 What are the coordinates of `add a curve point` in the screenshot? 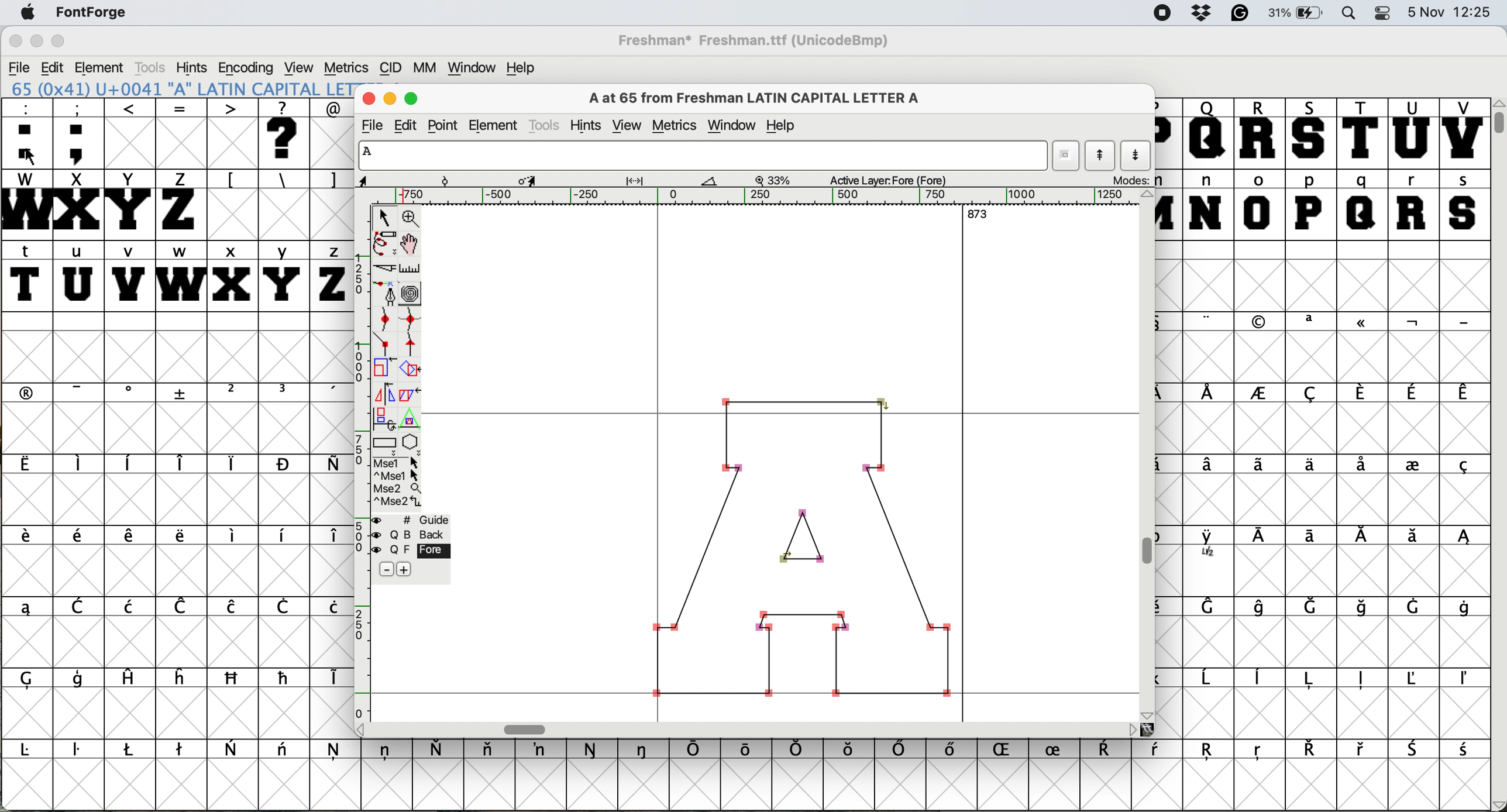 It's located at (386, 318).